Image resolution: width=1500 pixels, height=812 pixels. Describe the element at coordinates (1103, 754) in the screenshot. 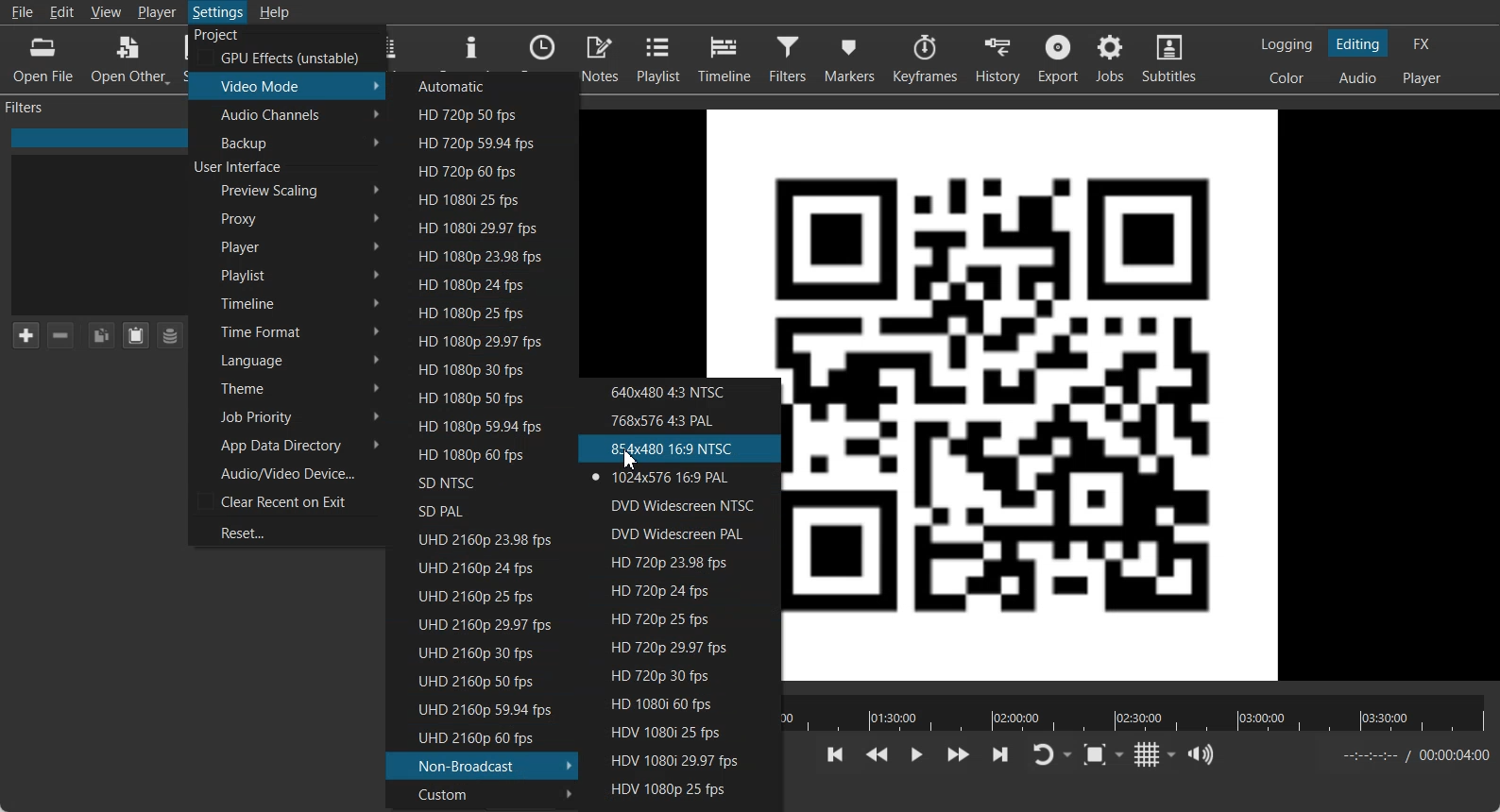

I see `Toggle zoom` at that location.